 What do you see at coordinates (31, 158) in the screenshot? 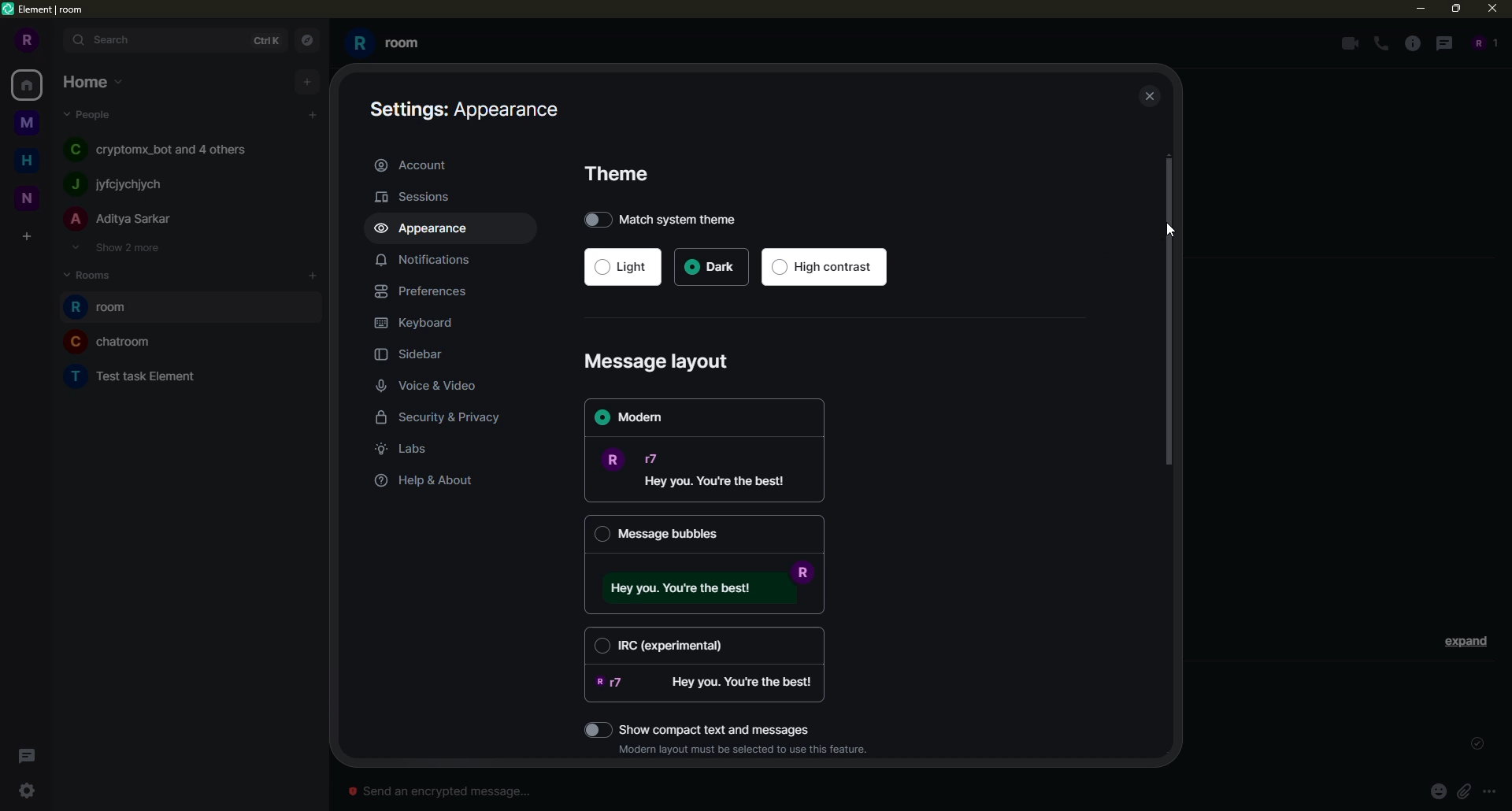
I see `home` at bounding box center [31, 158].